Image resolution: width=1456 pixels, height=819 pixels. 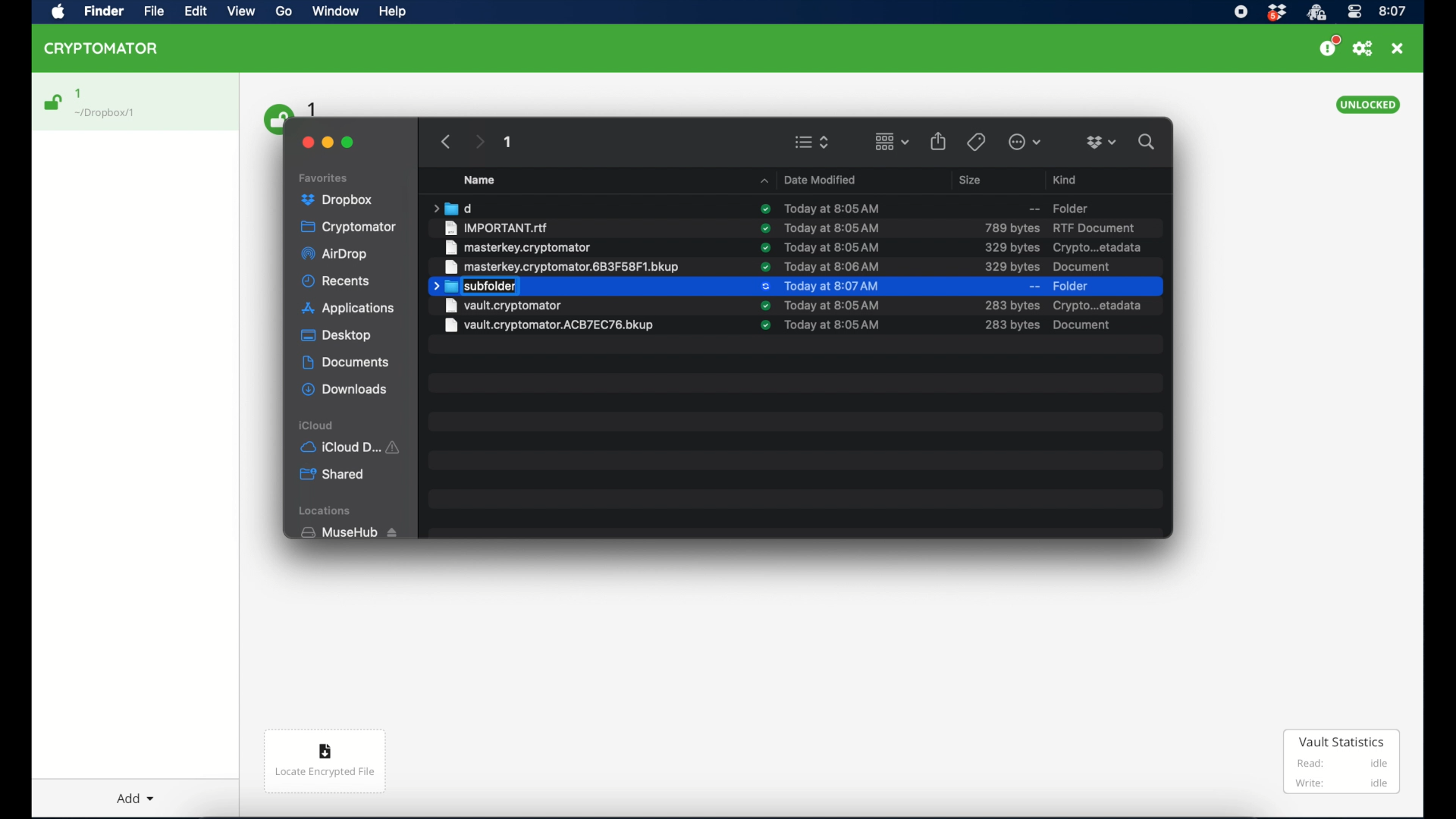 I want to click on close, so click(x=305, y=140).